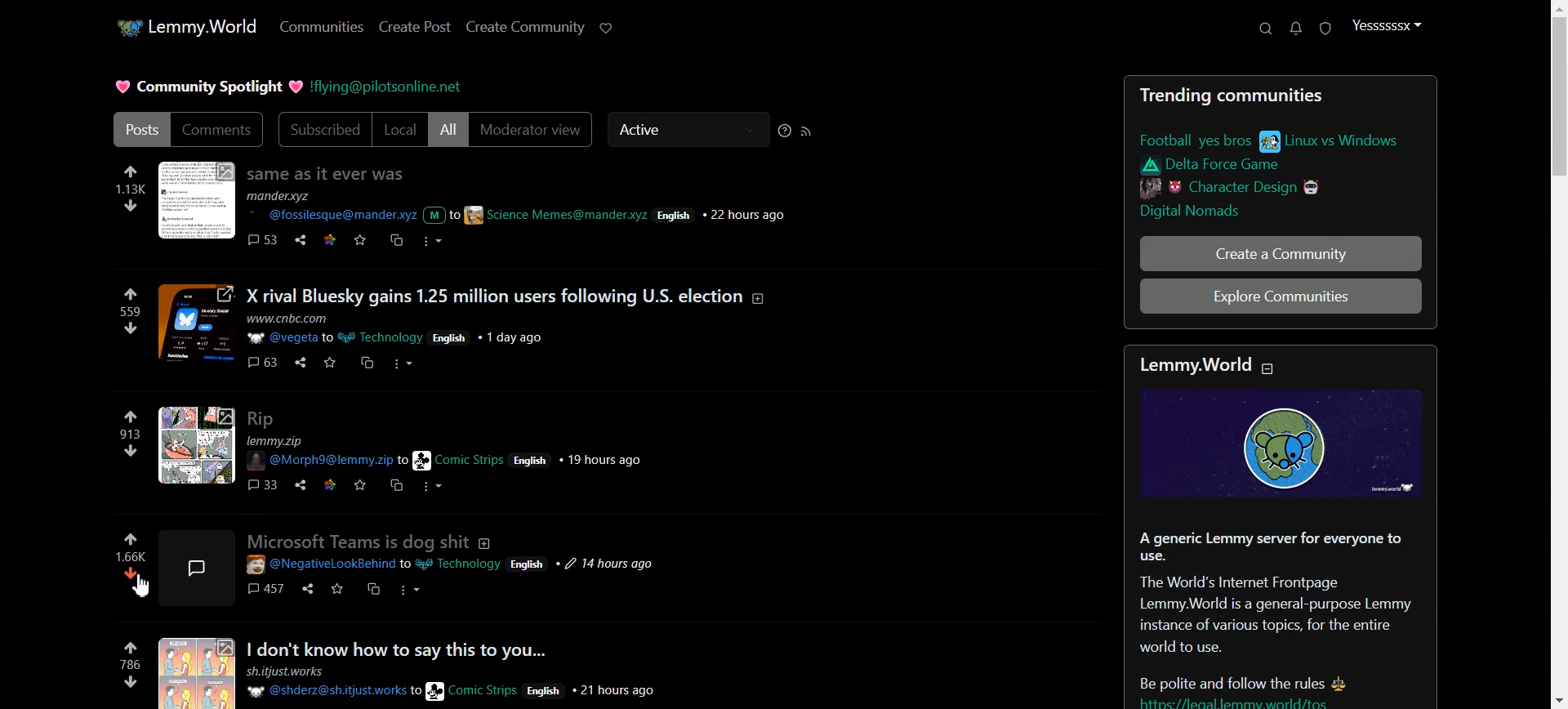 The height and width of the screenshot is (709, 1568). Describe the element at coordinates (1325, 29) in the screenshot. I see `Unread report` at that location.